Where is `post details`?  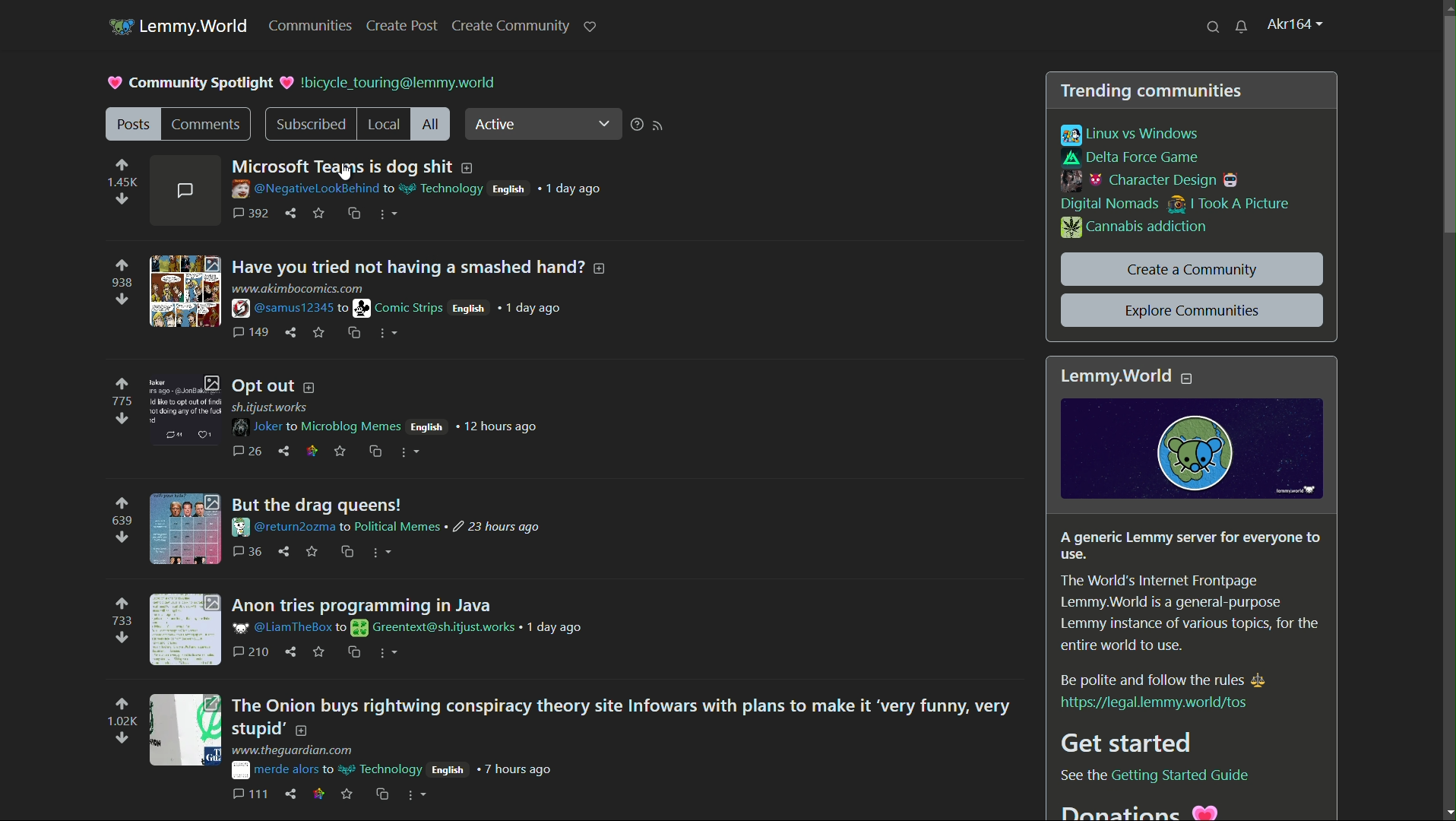 post details is located at coordinates (416, 626).